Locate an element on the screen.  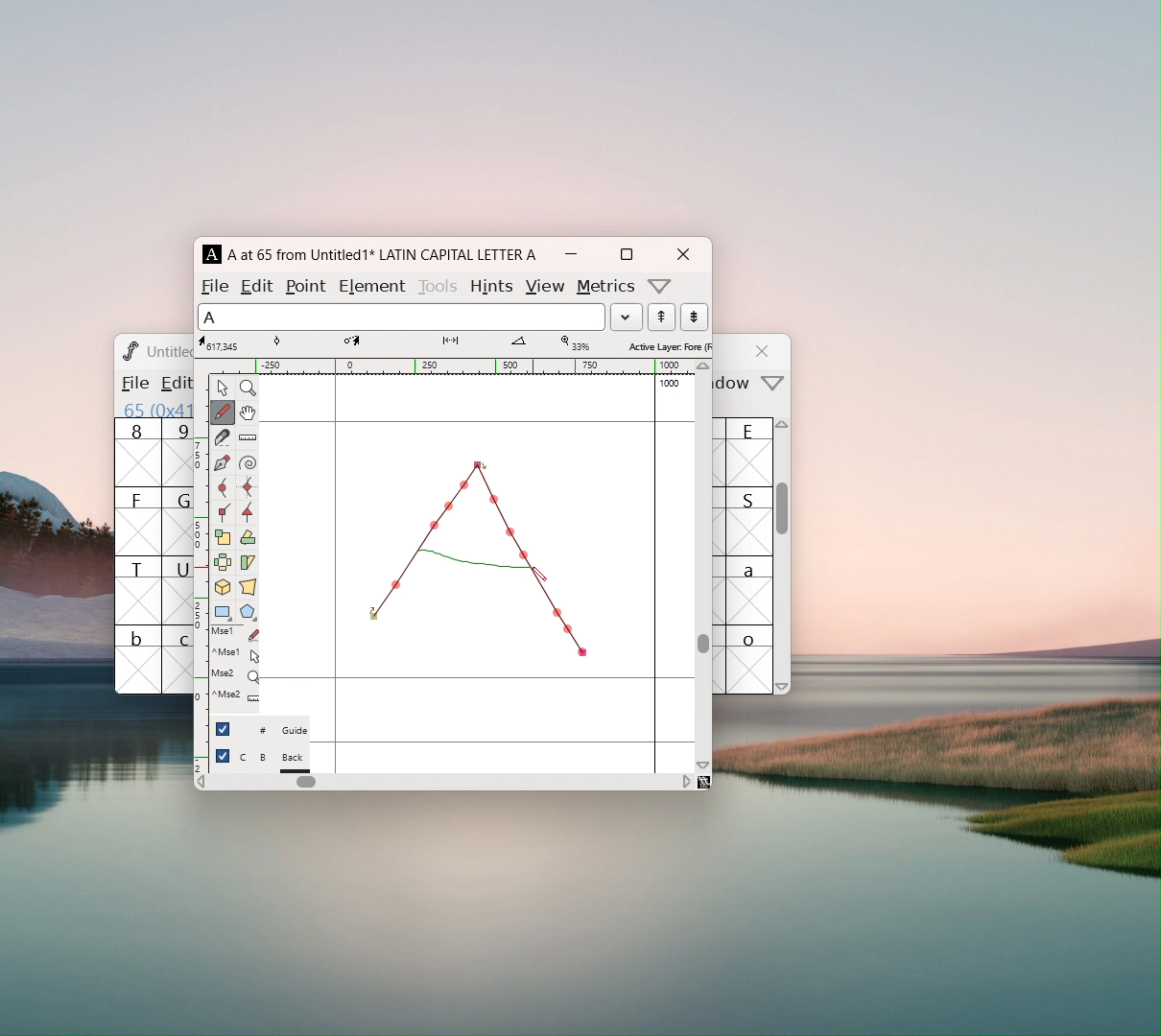
window is located at coordinates (735, 384).